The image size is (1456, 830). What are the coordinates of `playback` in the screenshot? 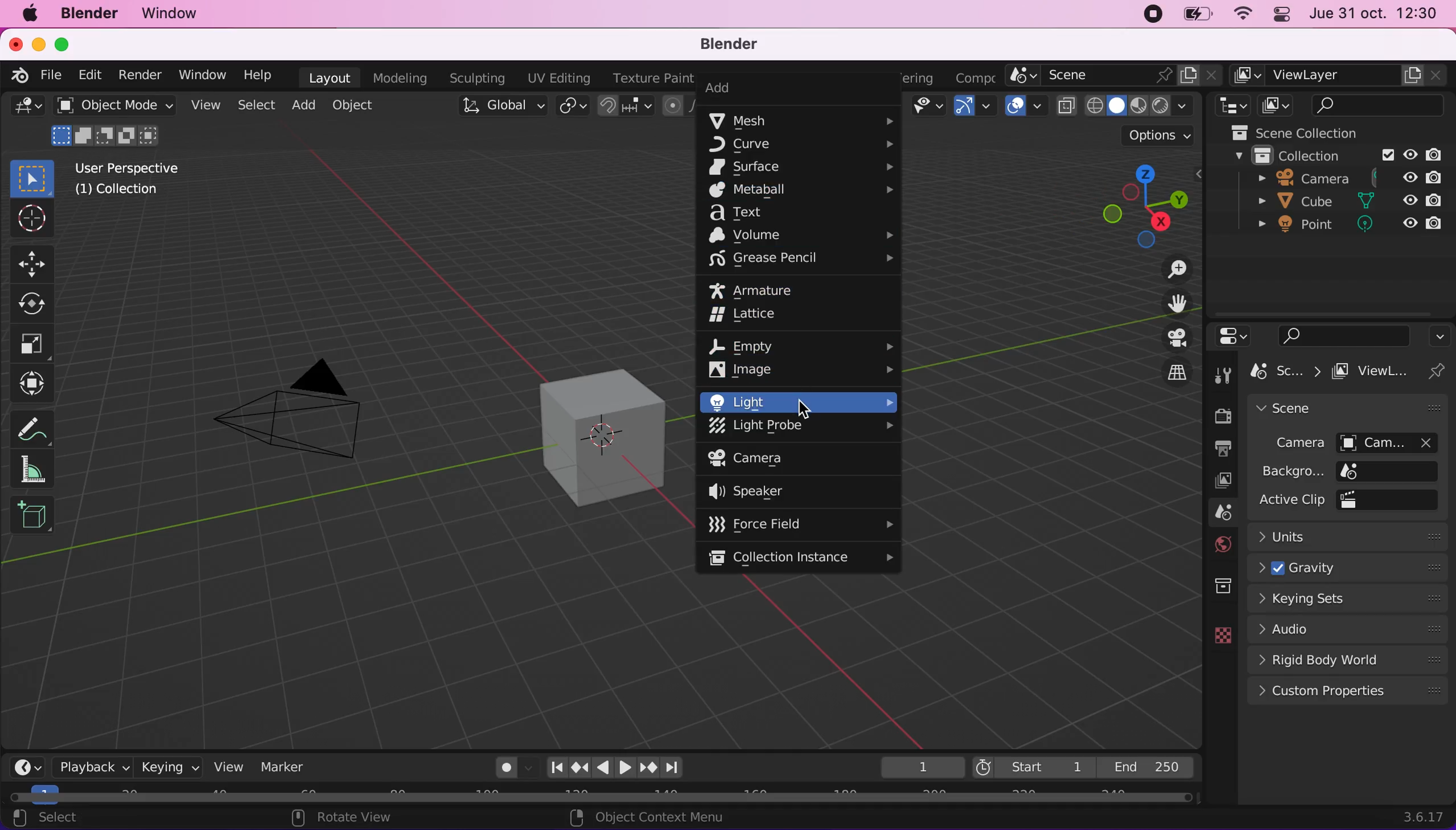 It's located at (87, 766).